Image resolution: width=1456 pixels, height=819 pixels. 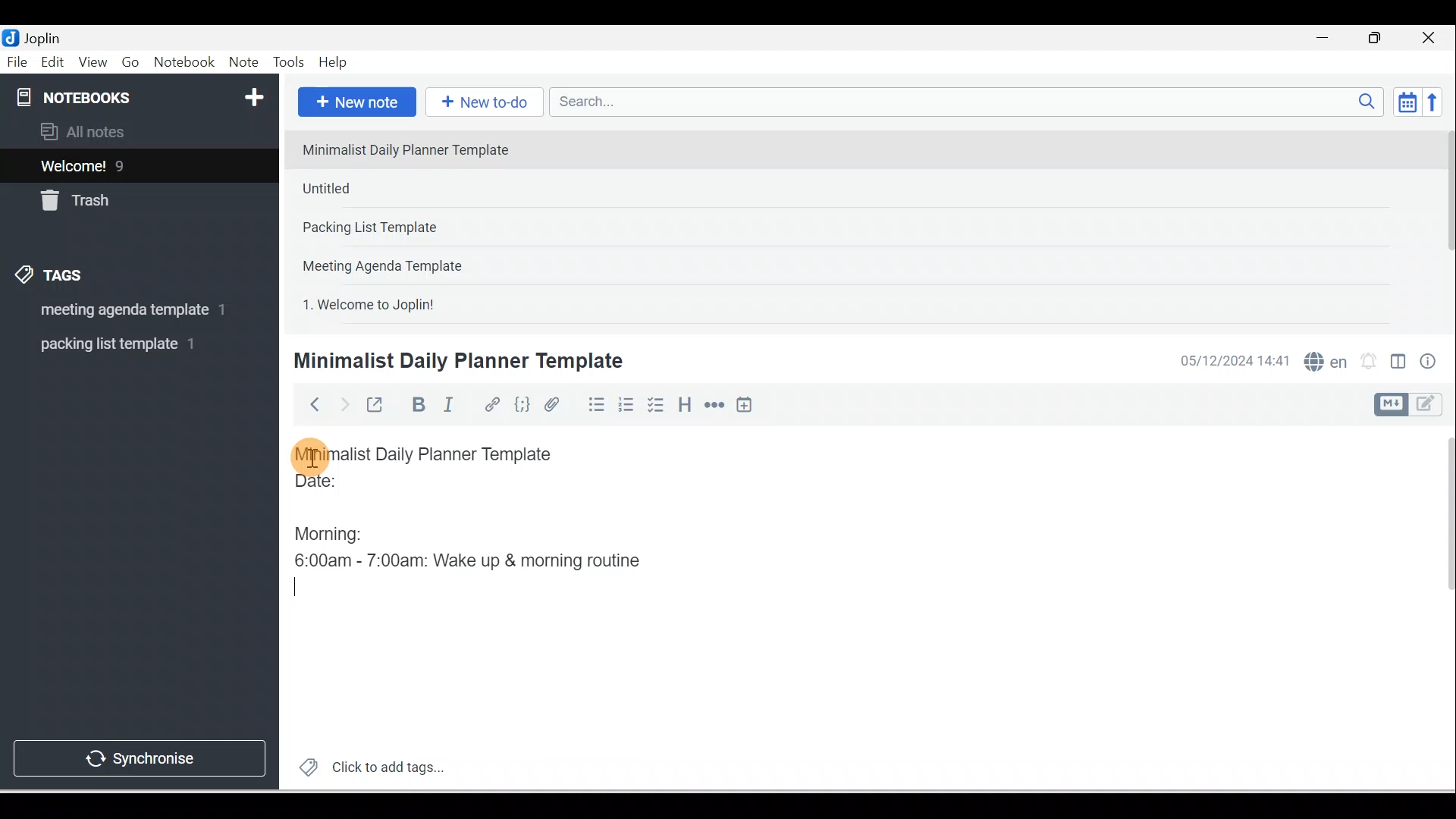 I want to click on Note 5, so click(x=424, y=303).